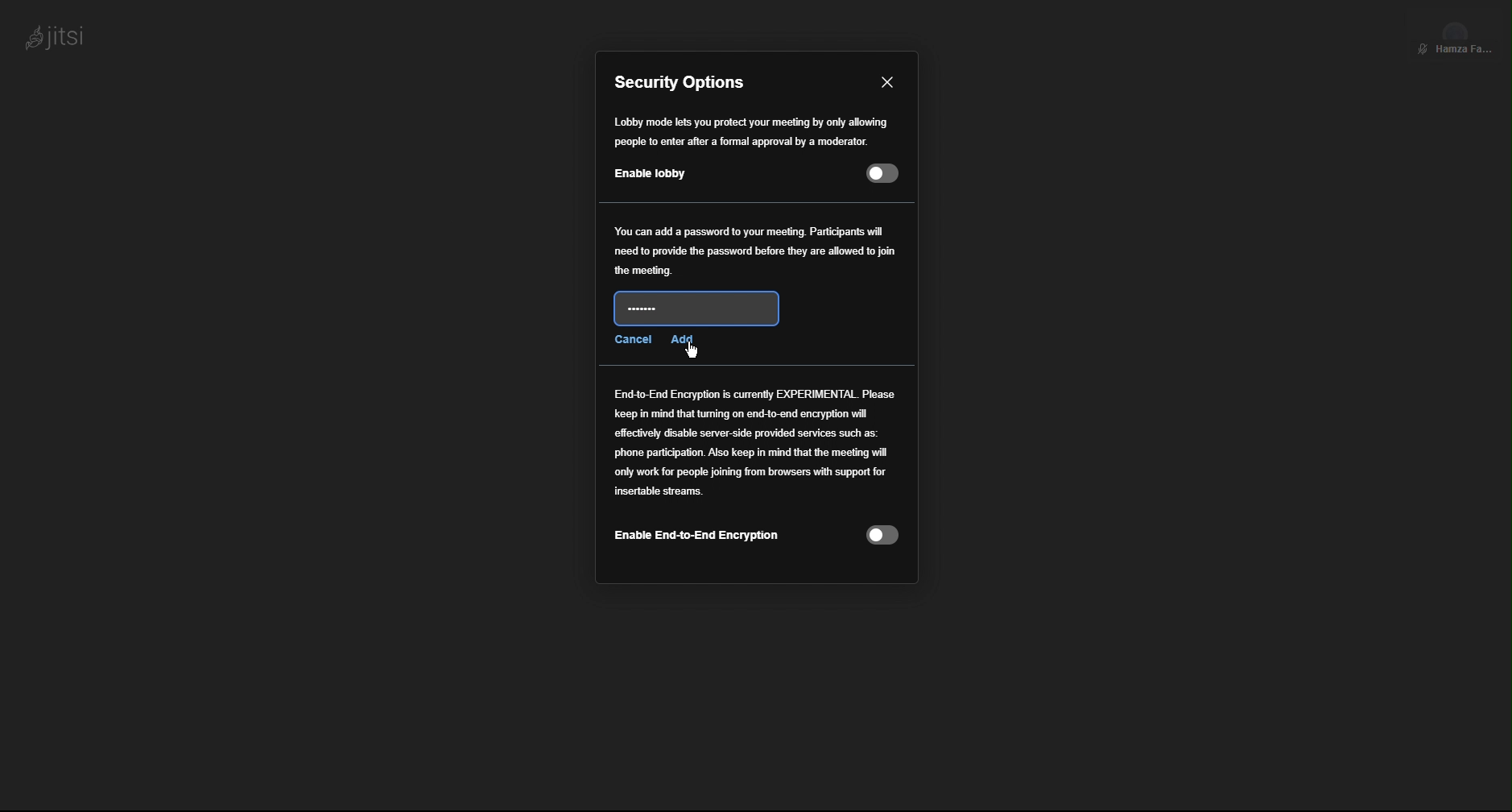  Describe the element at coordinates (638, 307) in the screenshot. I see `New Password` at that location.